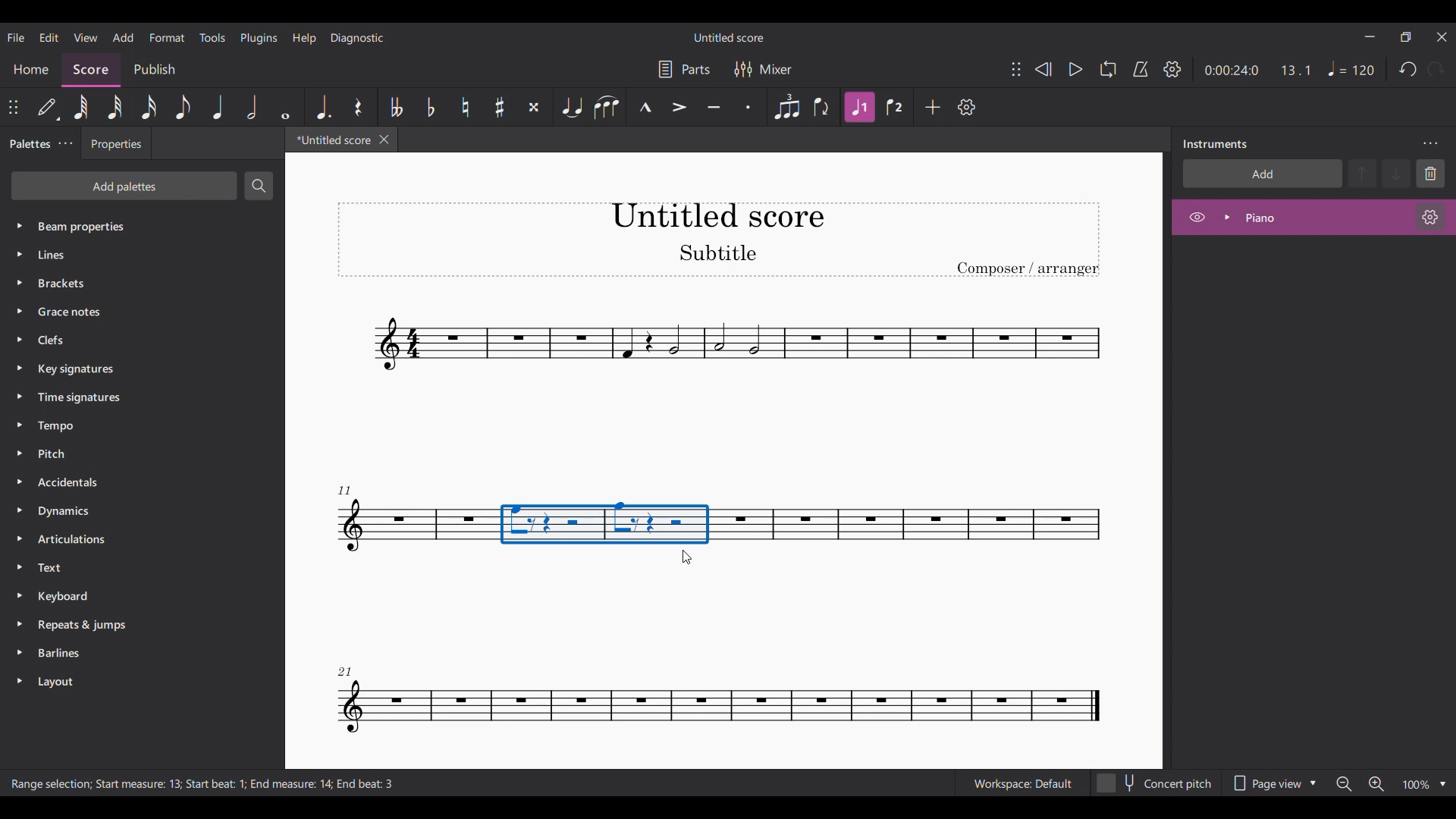 The image size is (1456, 819). Describe the element at coordinates (322, 107) in the screenshot. I see `Augmentation dot` at that location.